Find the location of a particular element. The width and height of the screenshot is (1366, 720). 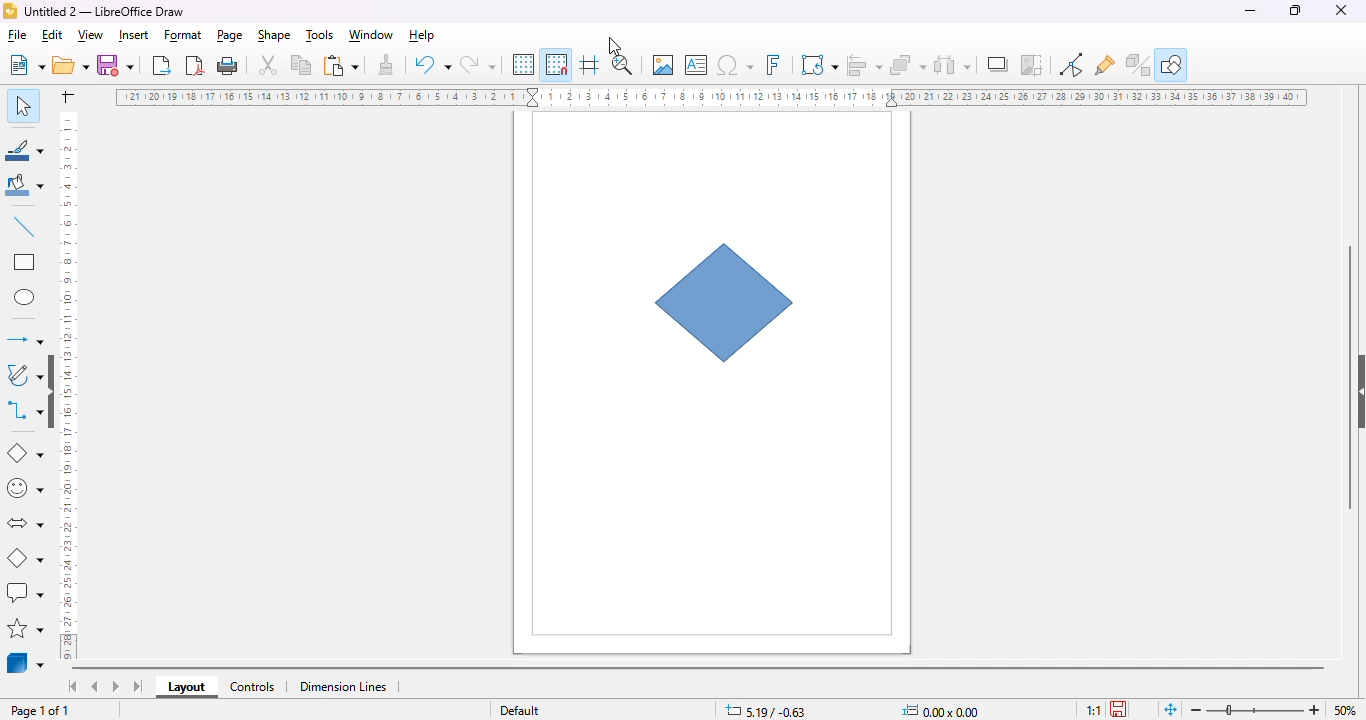

crop image is located at coordinates (1033, 66).